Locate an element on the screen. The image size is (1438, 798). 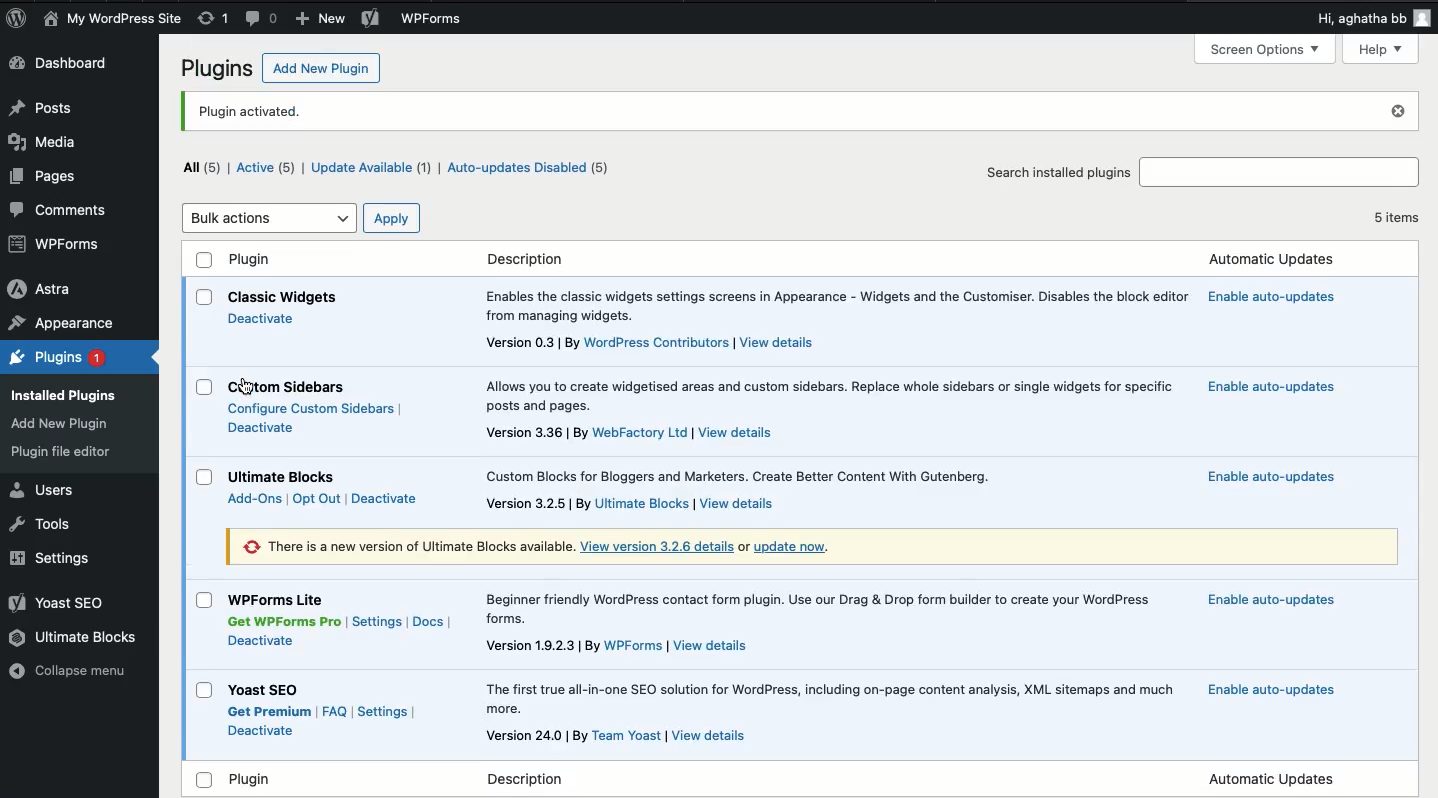
Screen options  is located at coordinates (1266, 50).